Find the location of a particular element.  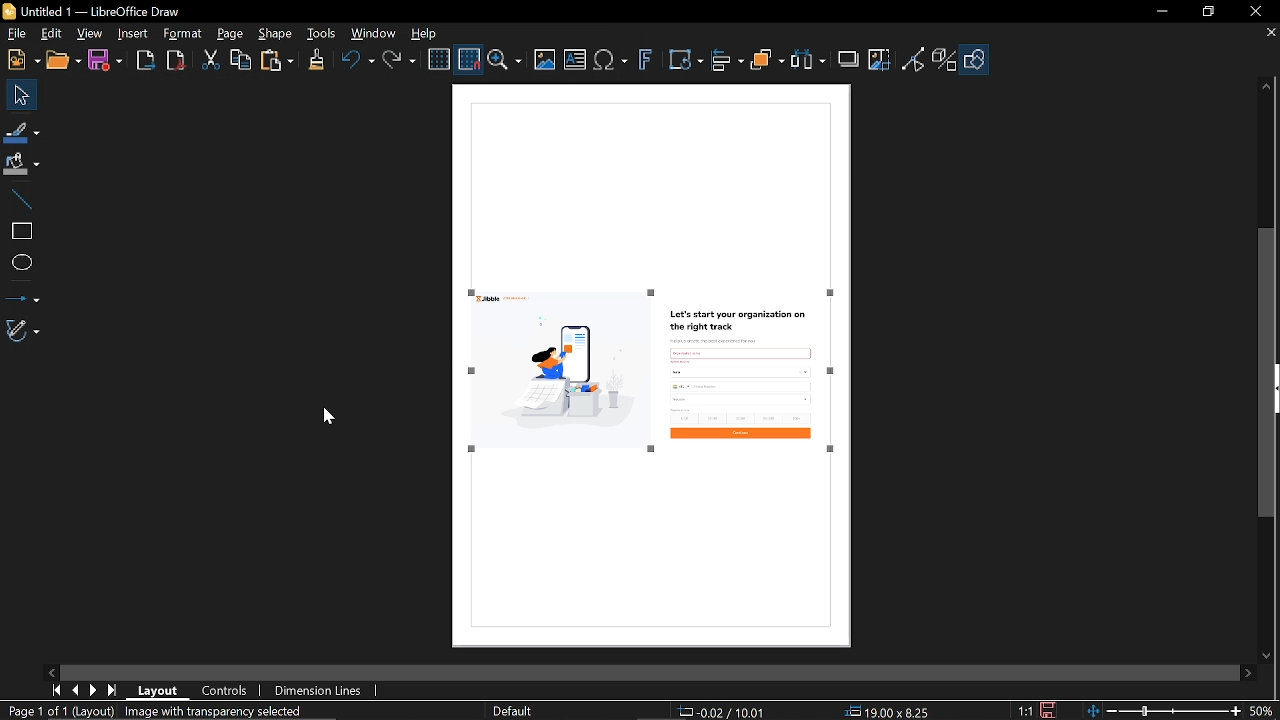

Undo is located at coordinates (359, 64).